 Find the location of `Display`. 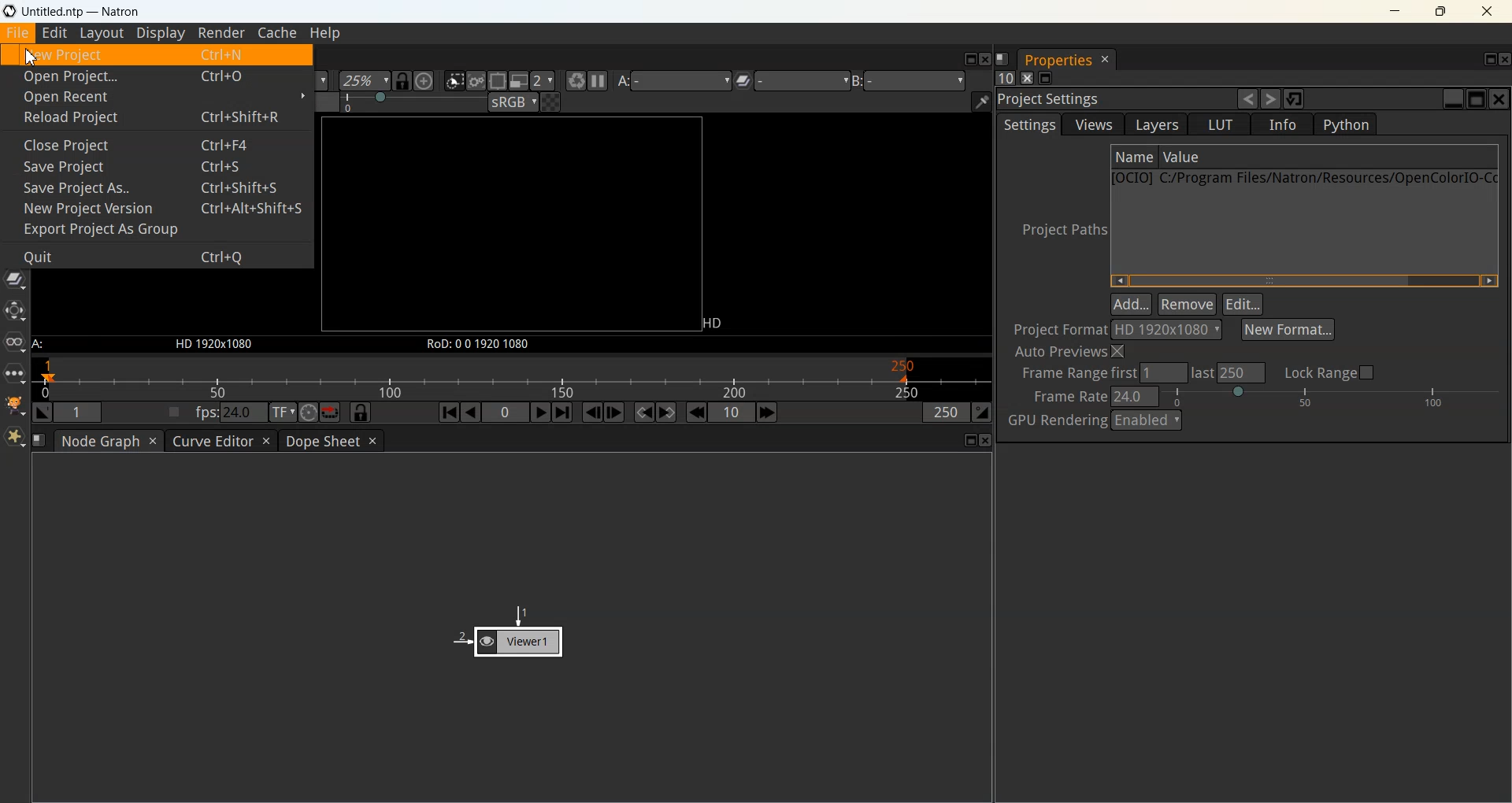

Display is located at coordinates (160, 34).